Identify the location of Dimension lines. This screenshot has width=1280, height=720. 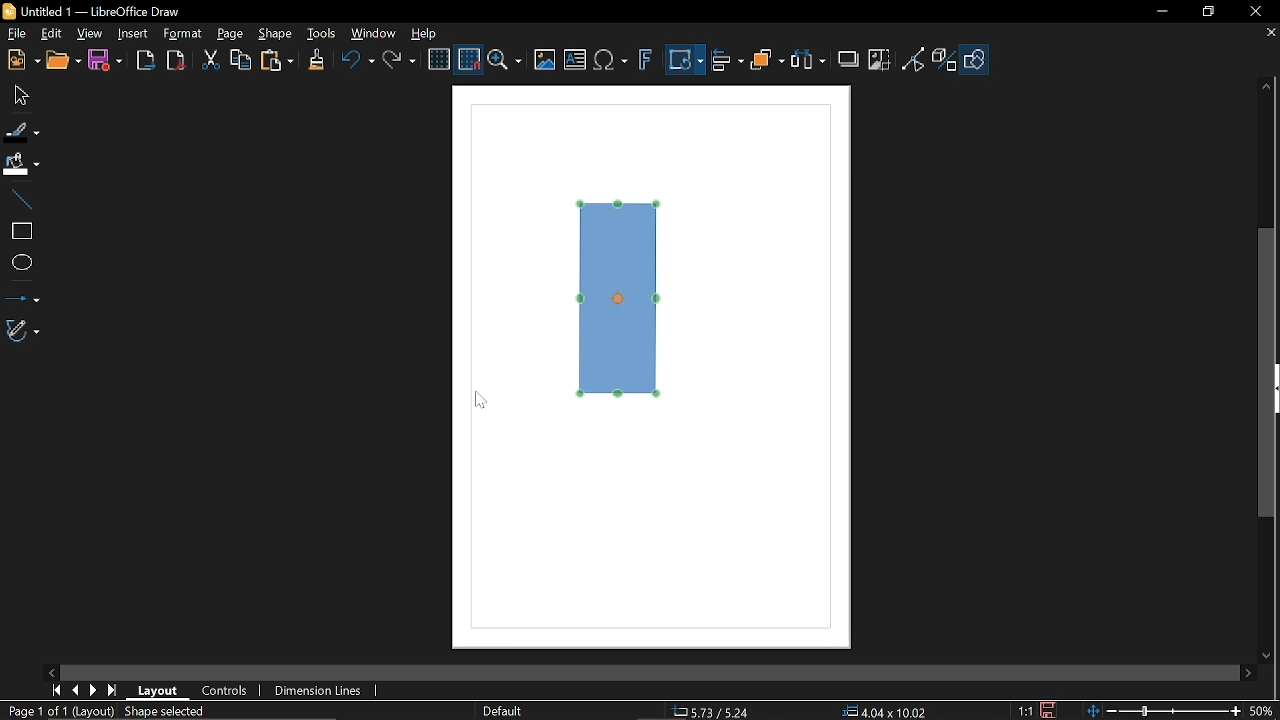
(322, 692).